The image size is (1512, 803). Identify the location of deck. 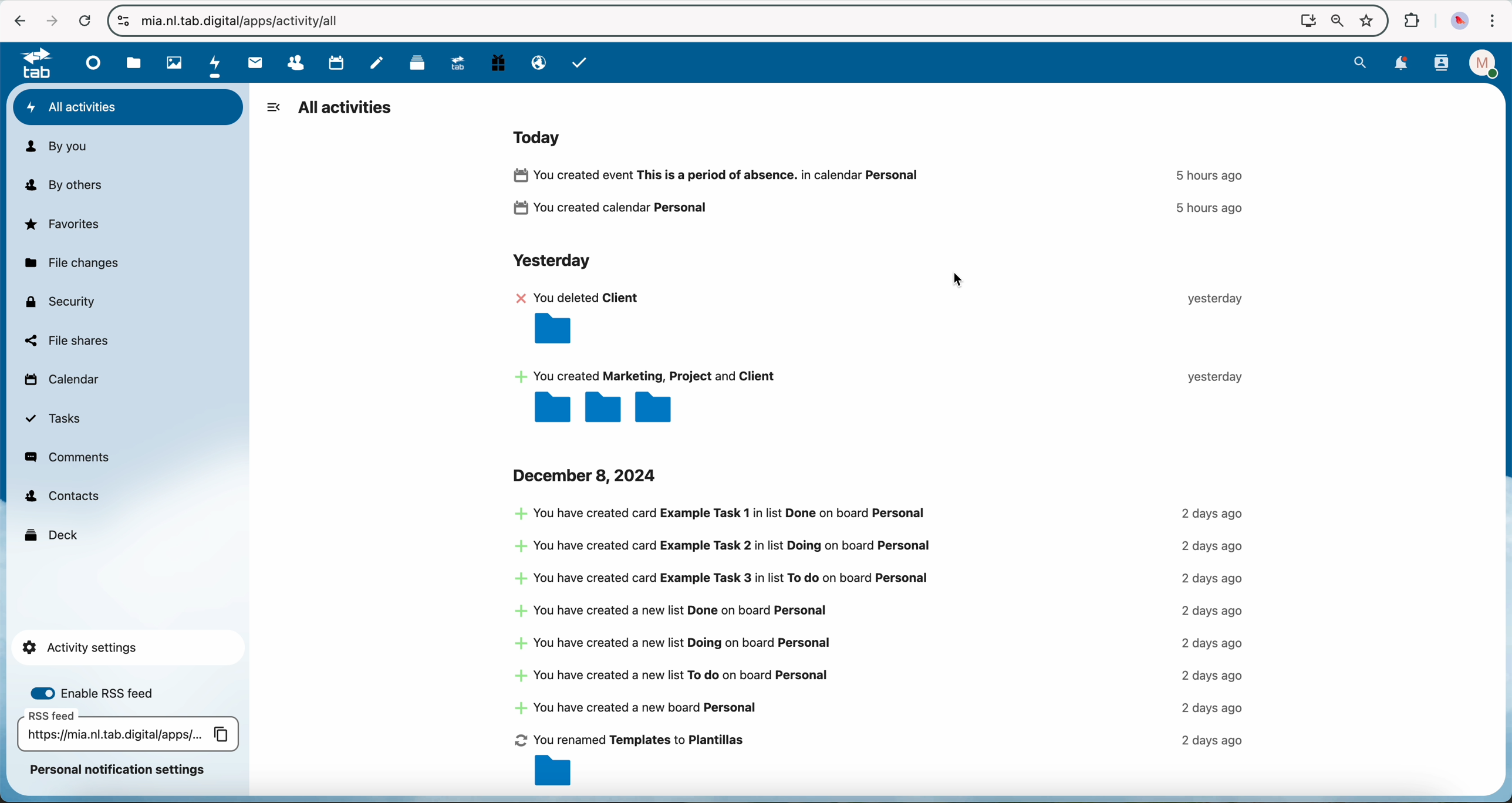
(53, 534).